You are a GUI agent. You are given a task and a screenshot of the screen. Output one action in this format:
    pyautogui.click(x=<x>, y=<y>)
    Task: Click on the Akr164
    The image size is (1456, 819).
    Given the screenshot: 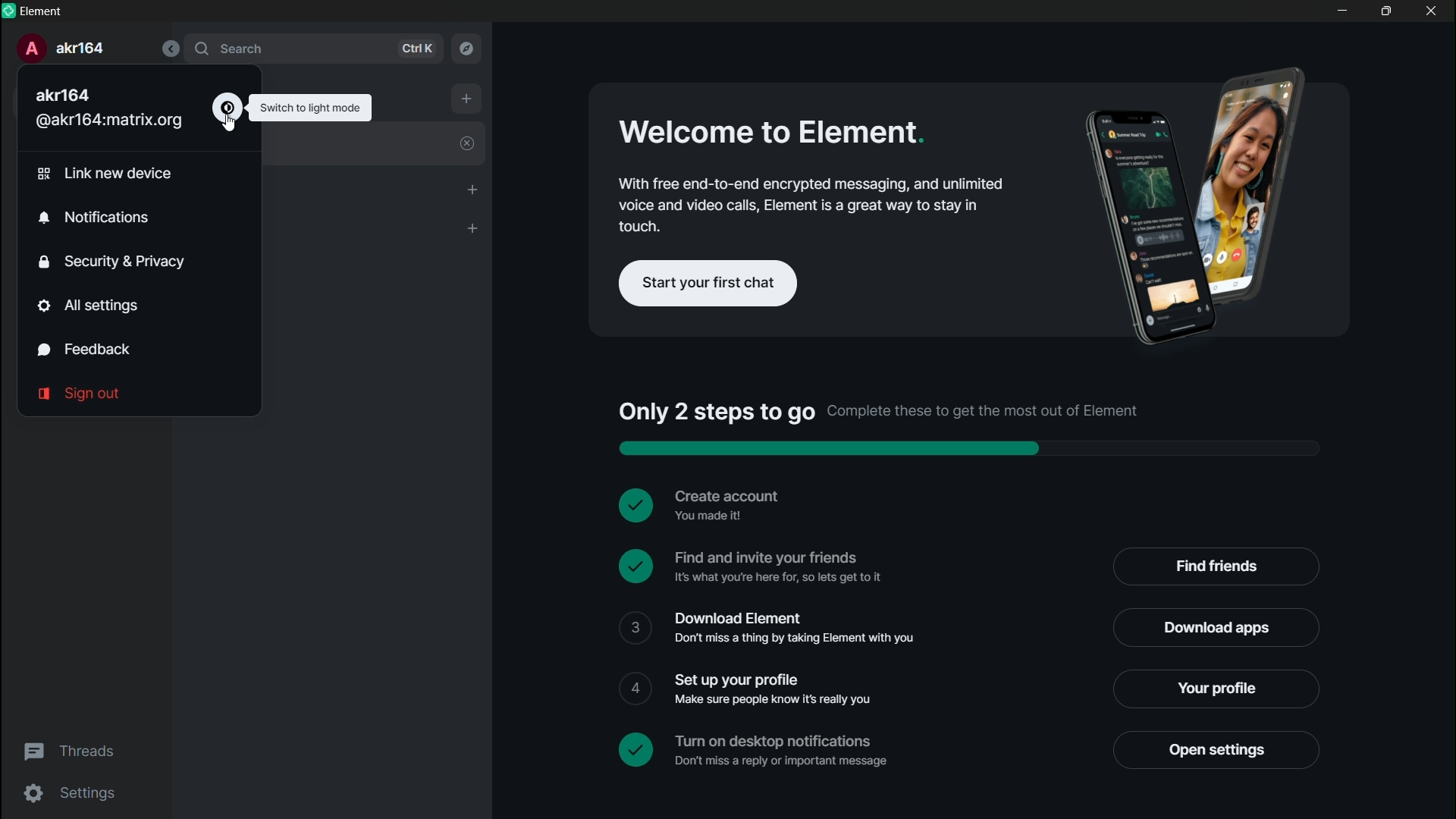 What is the action you would take?
    pyautogui.click(x=85, y=51)
    